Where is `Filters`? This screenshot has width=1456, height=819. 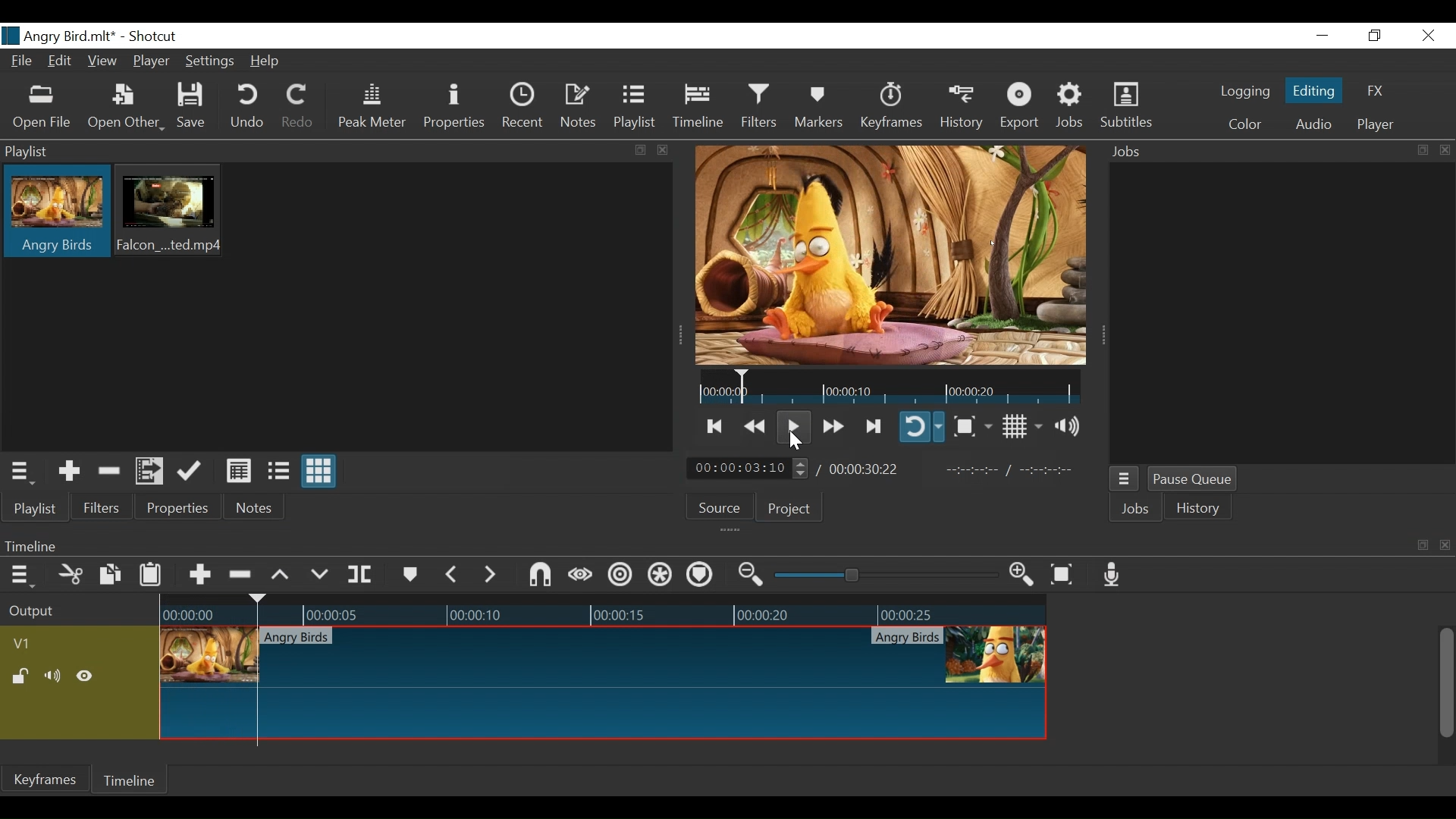
Filters is located at coordinates (104, 509).